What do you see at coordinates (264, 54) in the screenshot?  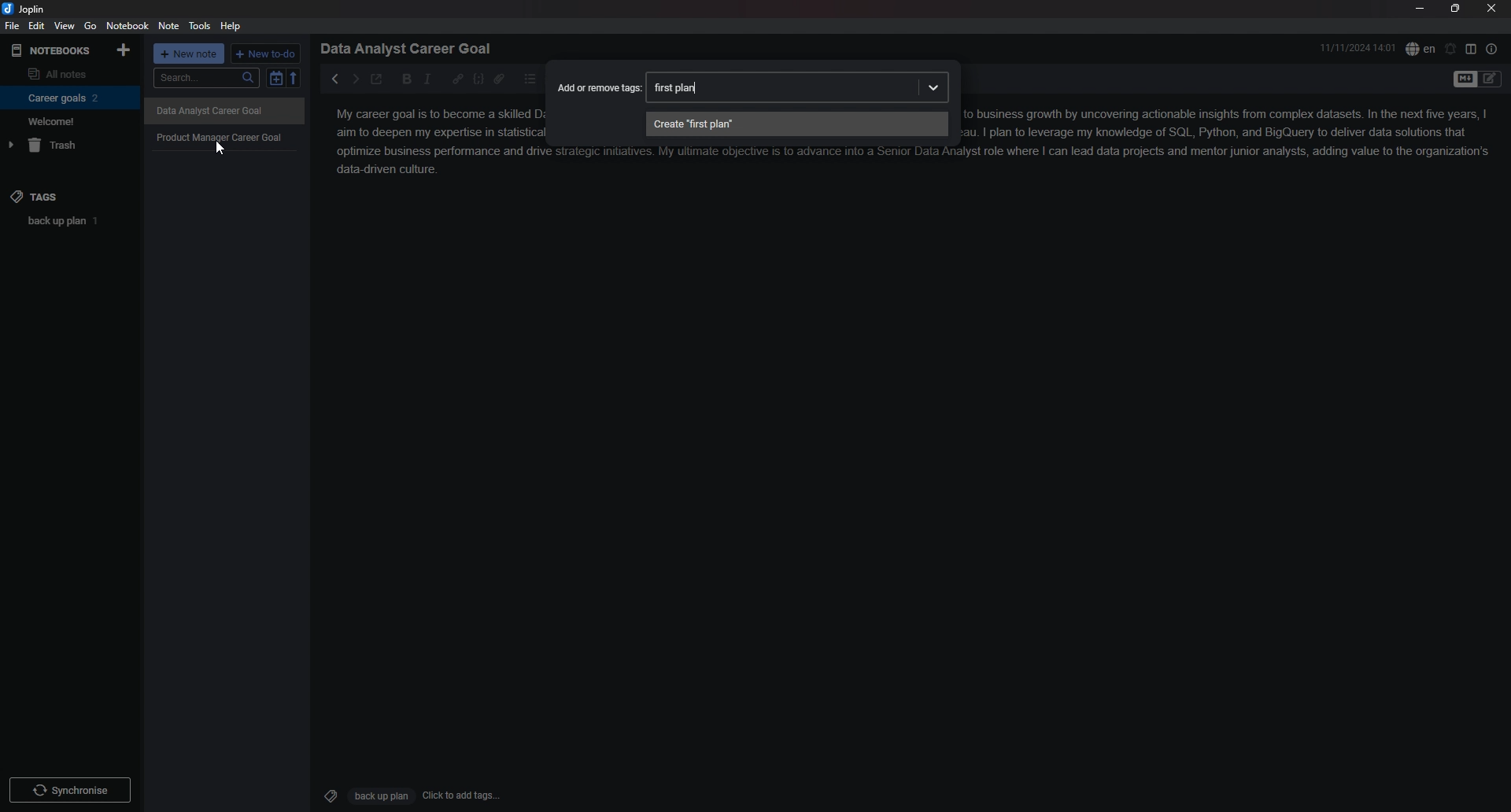 I see `+ new to do` at bounding box center [264, 54].